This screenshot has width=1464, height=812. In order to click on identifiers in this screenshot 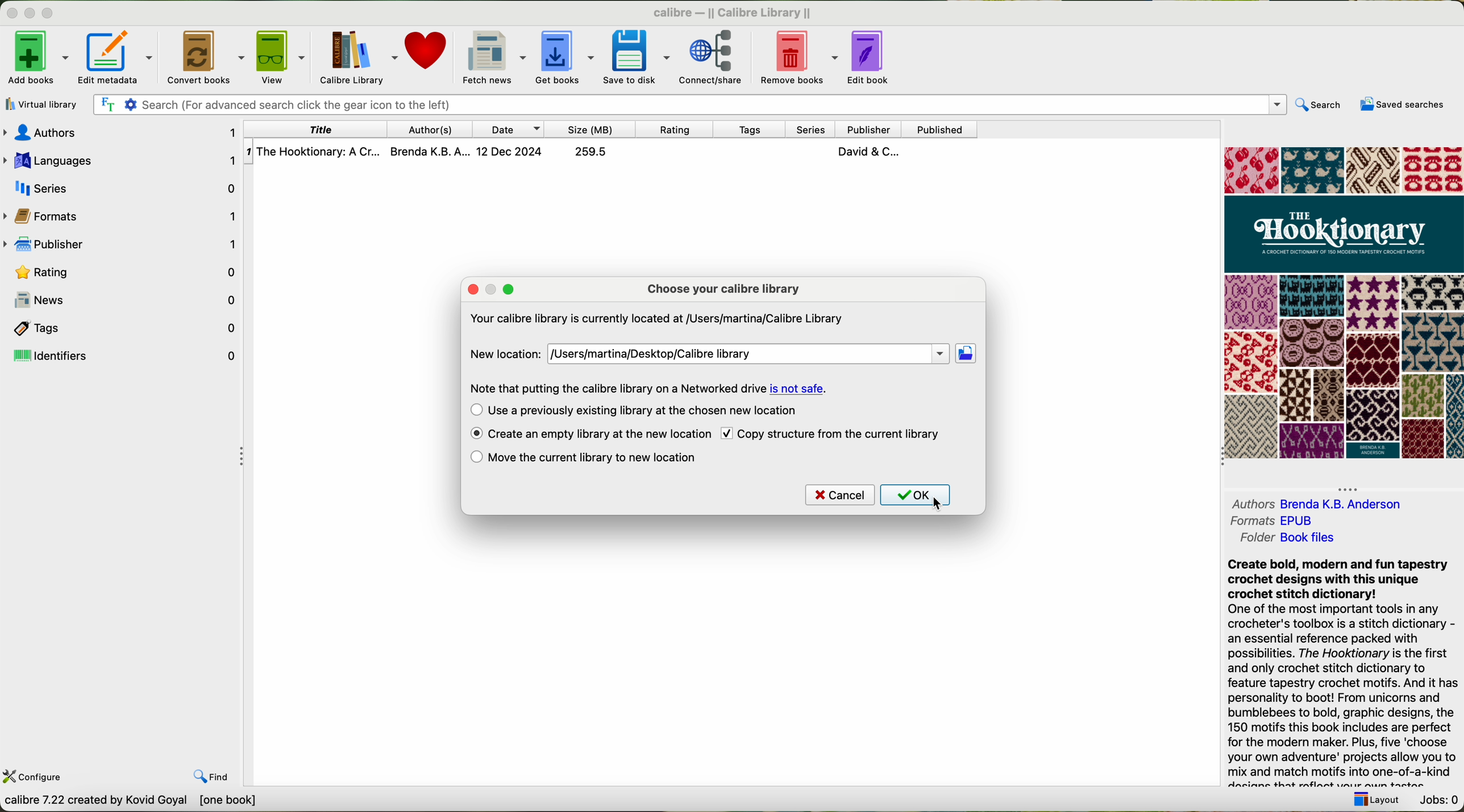, I will do `click(121, 357)`.